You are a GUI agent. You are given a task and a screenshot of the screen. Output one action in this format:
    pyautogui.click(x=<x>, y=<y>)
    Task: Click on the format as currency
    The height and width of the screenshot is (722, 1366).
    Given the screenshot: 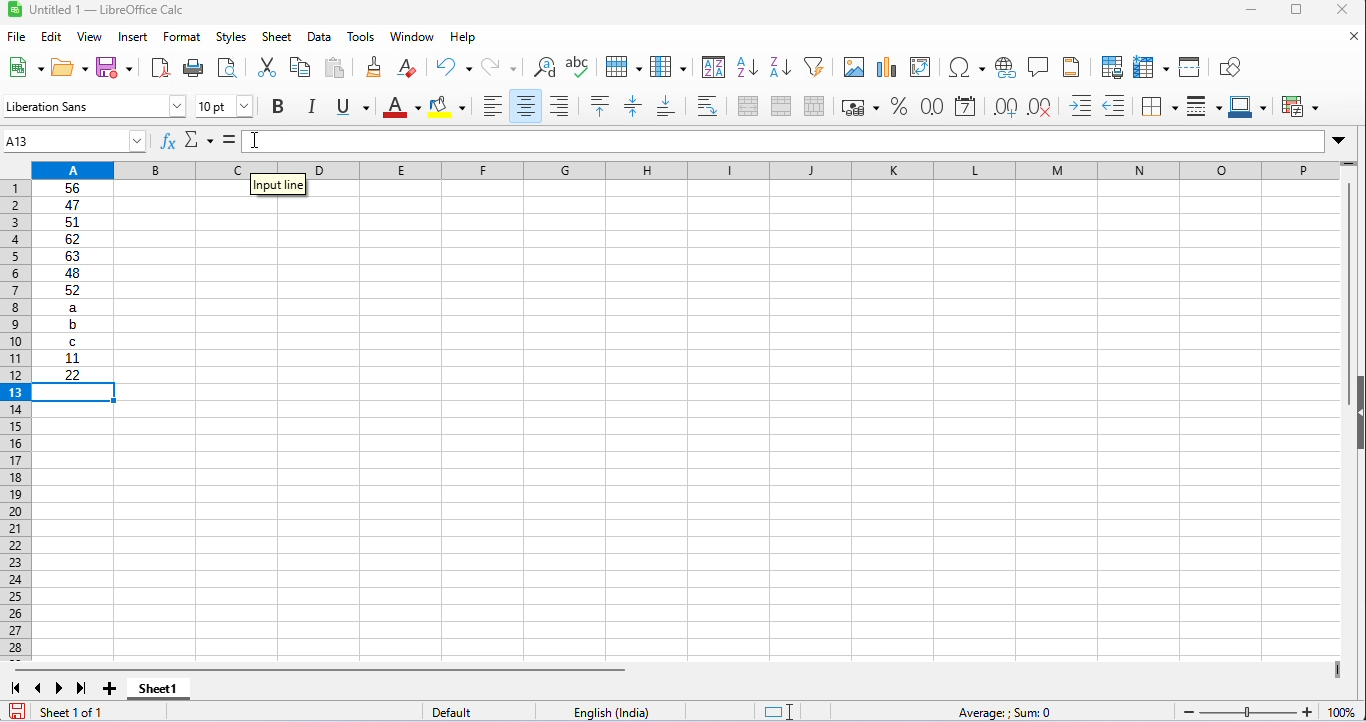 What is the action you would take?
    pyautogui.click(x=860, y=107)
    